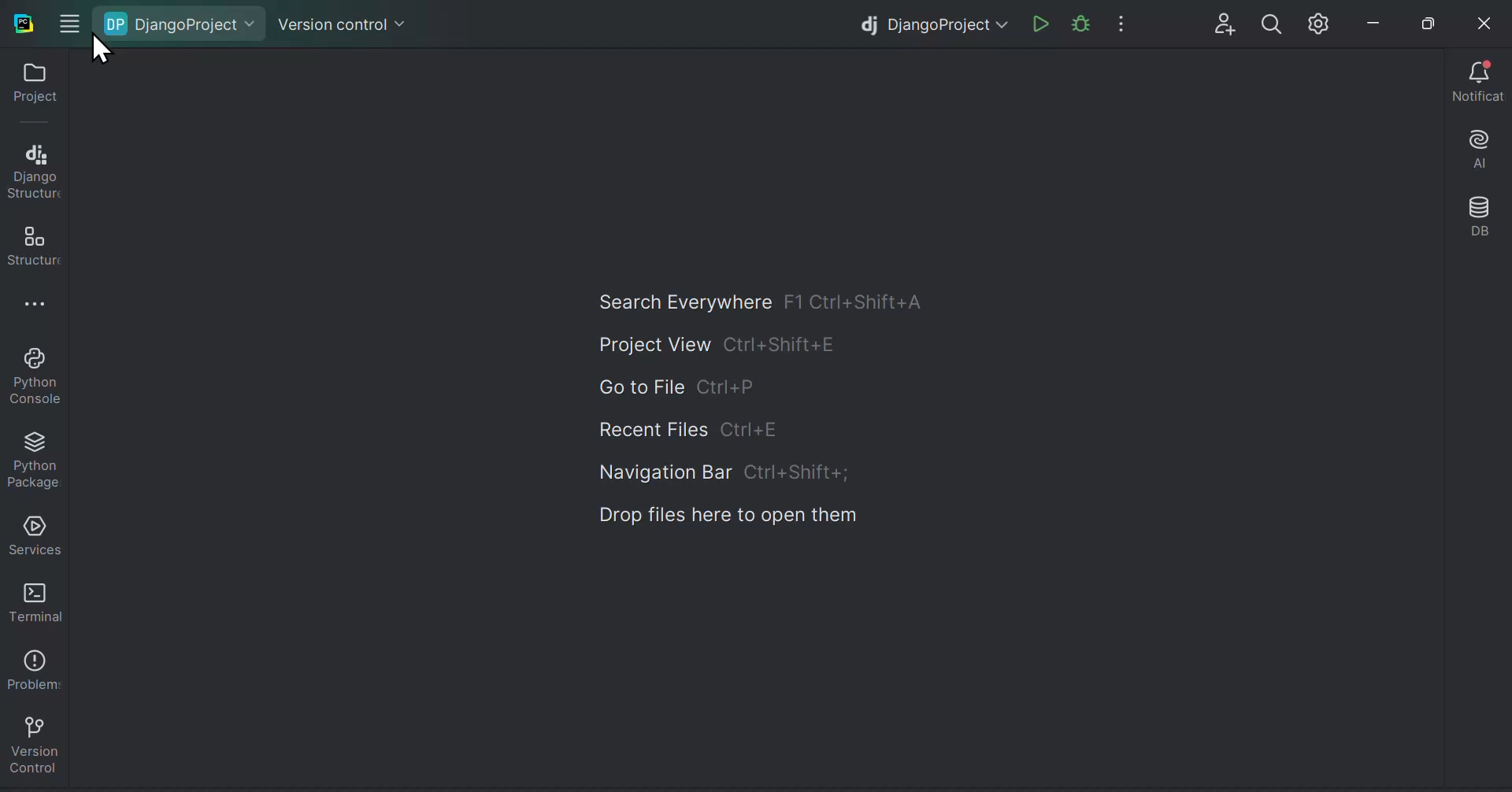 Image resolution: width=1512 pixels, height=792 pixels. Describe the element at coordinates (1268, 21) in the screenshot. I see `search` at that location.